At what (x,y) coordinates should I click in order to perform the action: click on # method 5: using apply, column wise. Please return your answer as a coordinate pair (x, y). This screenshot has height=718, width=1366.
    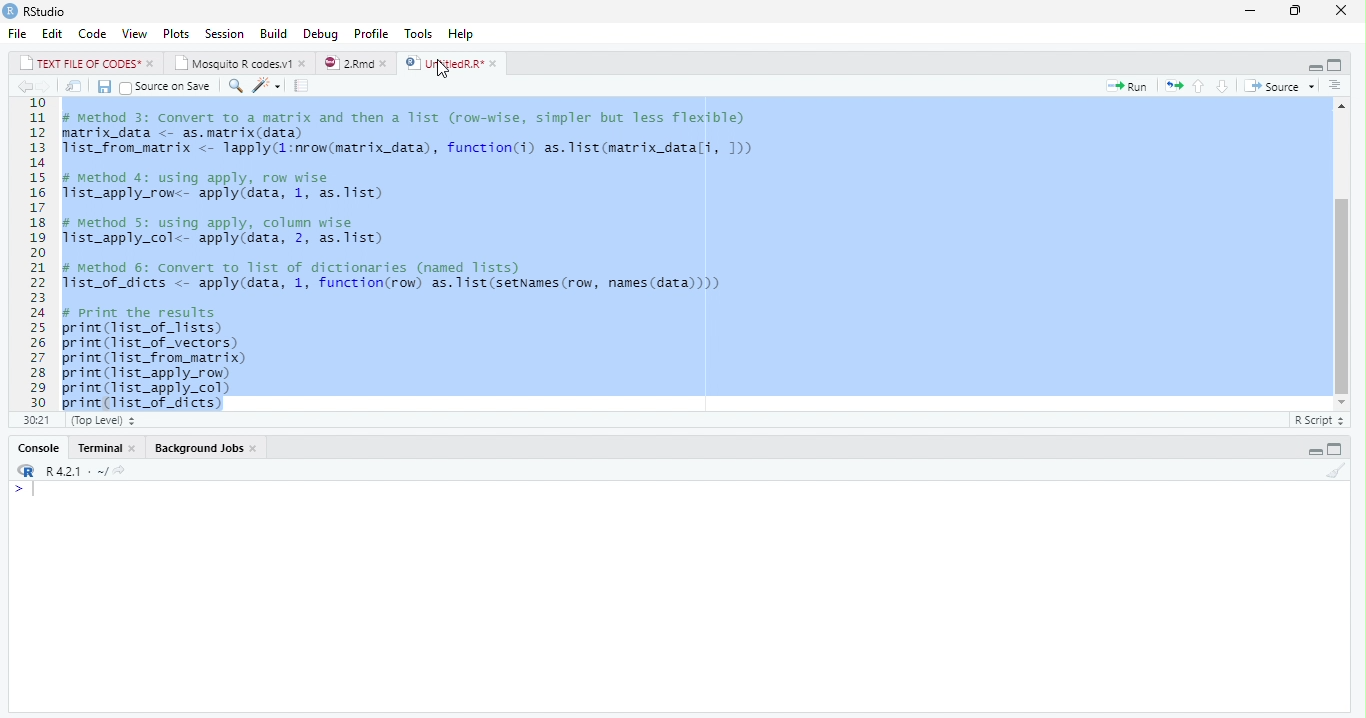
    Looking at the image, I should click on (232, 223).